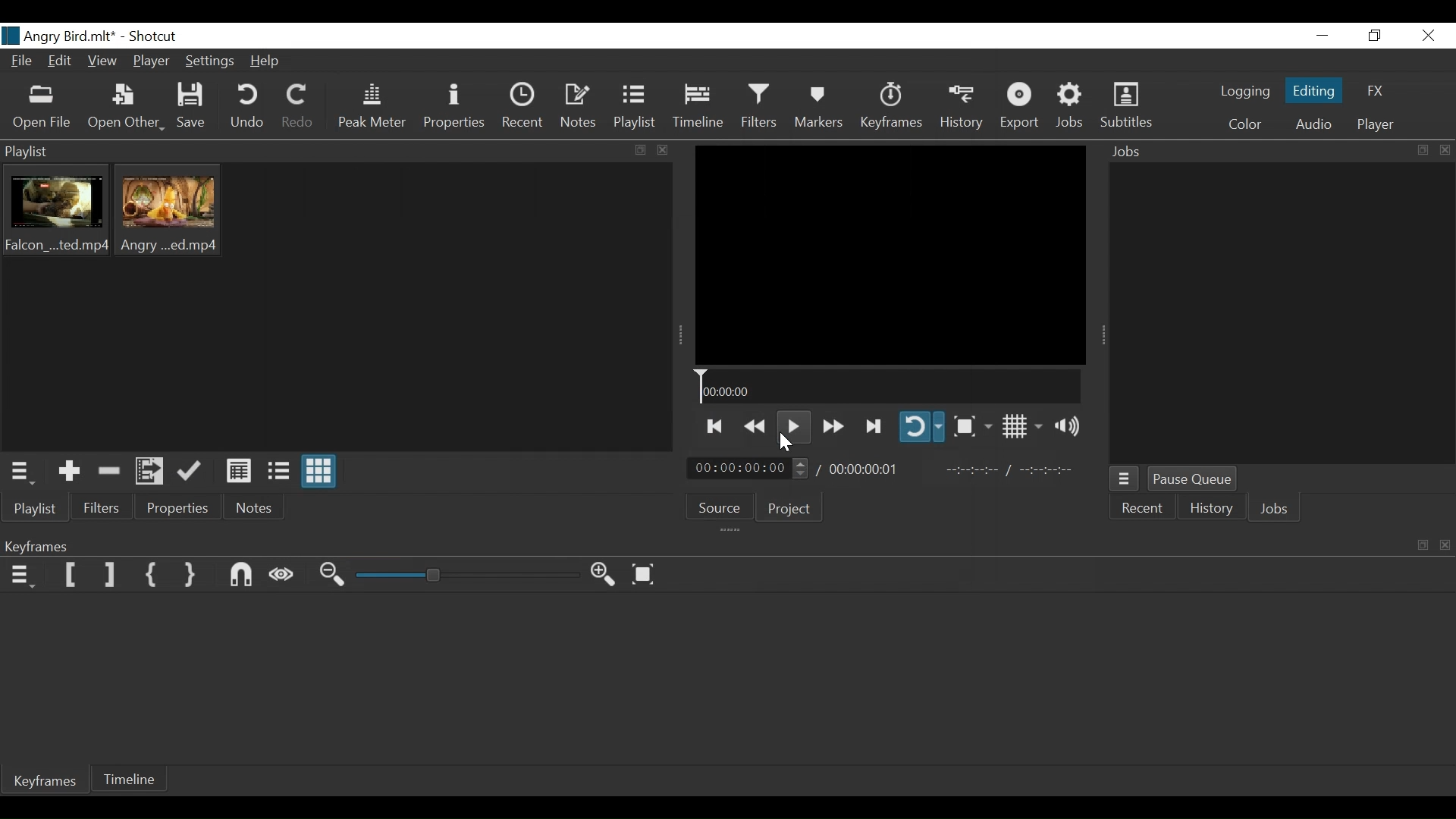  I want to click on Save, so click(193, 105).